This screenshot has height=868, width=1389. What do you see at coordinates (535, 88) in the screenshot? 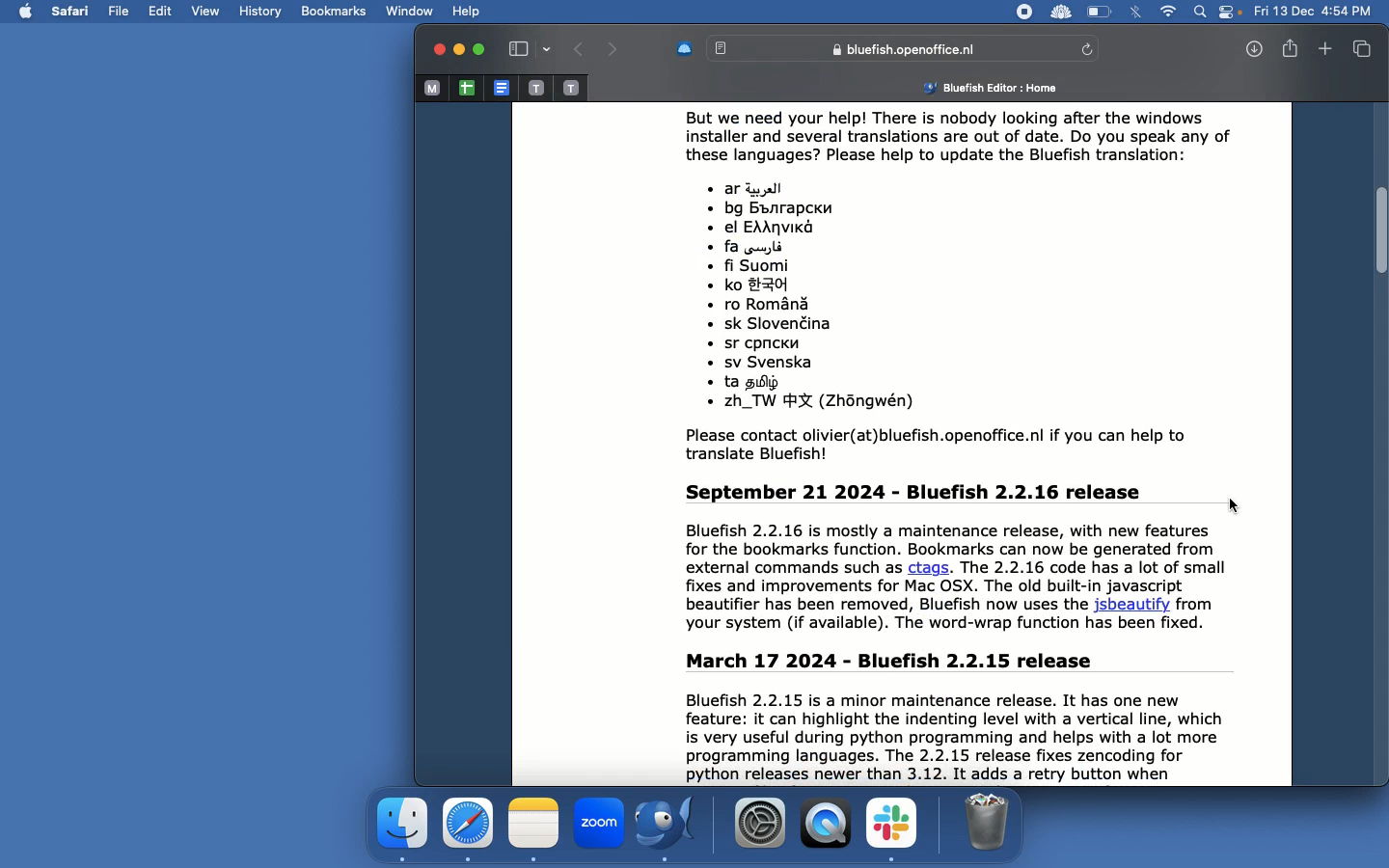
I see `Pinned tab` at bounding box center [535, 88].